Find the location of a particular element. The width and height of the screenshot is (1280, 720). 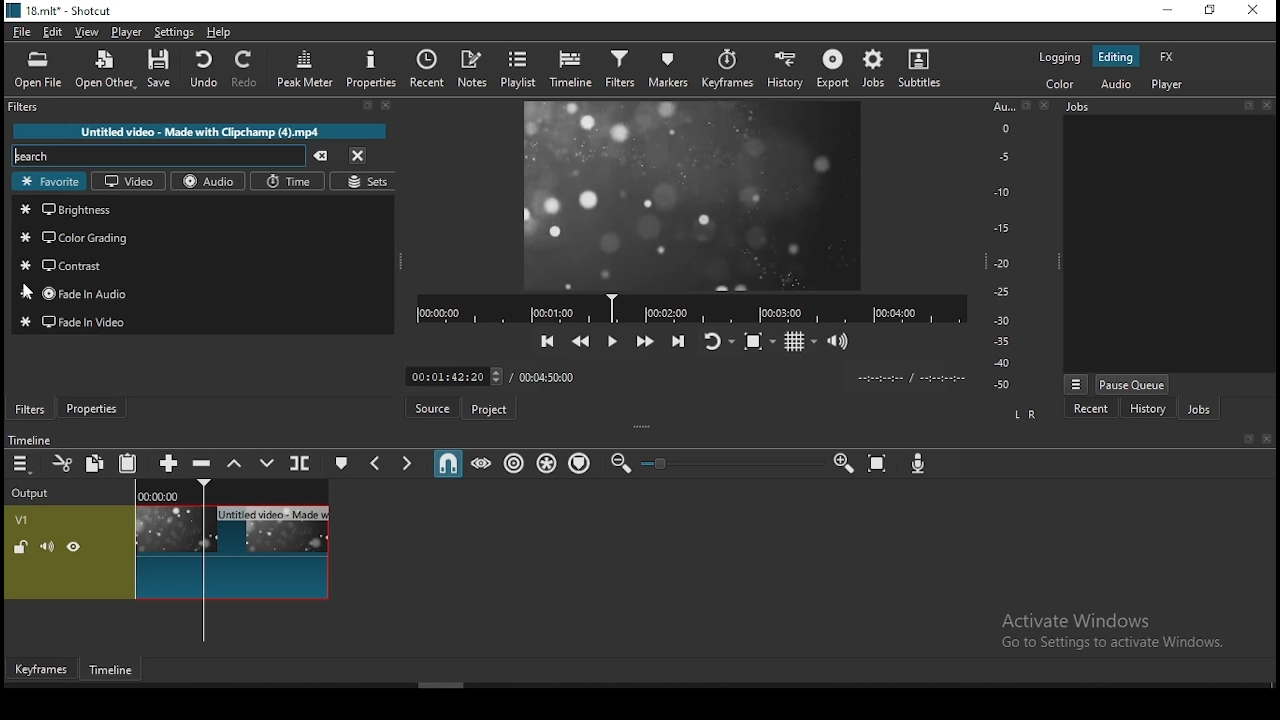

contrast is located at coordinates (203, 263).